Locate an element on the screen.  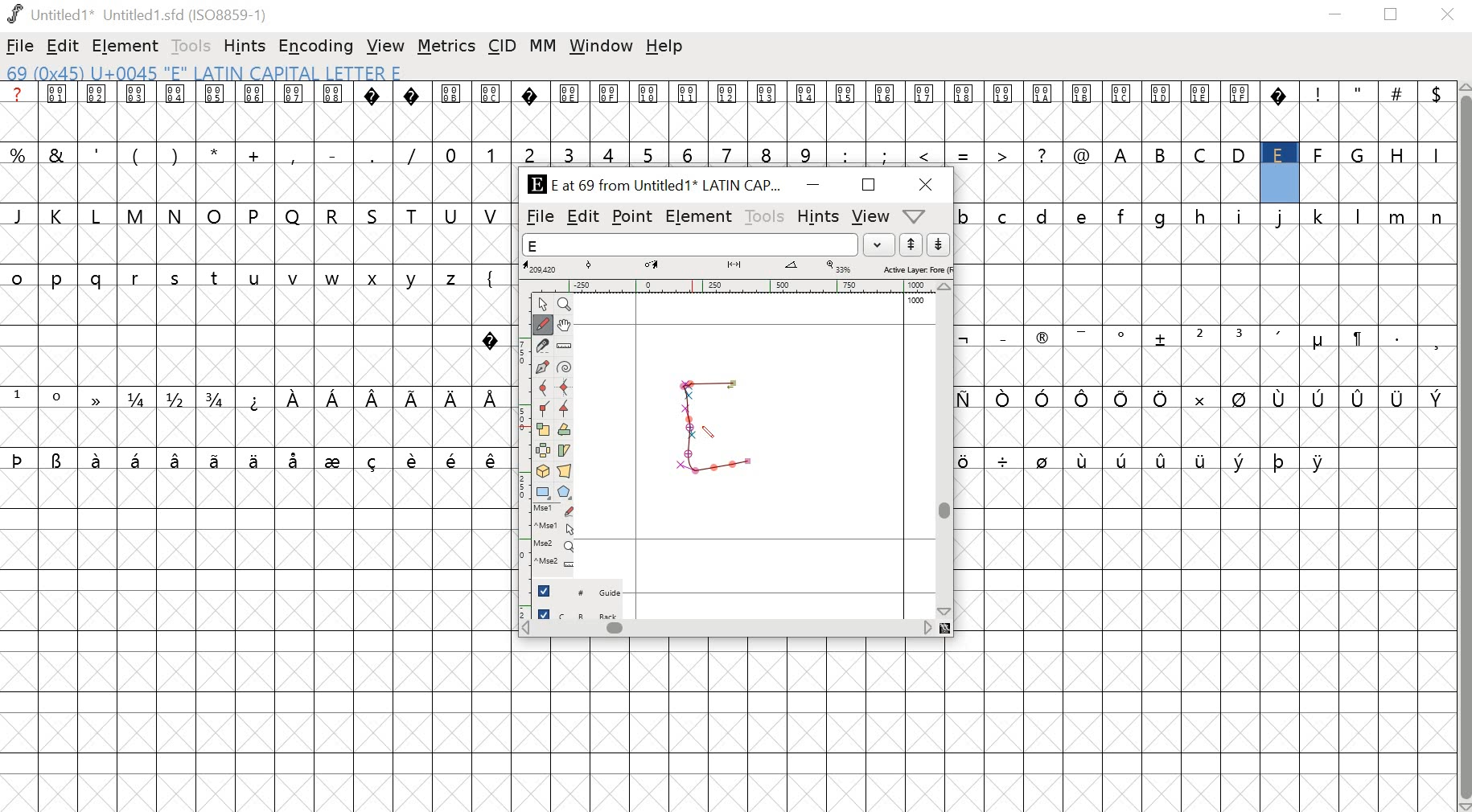
close is located at coordinates (1448, 15).